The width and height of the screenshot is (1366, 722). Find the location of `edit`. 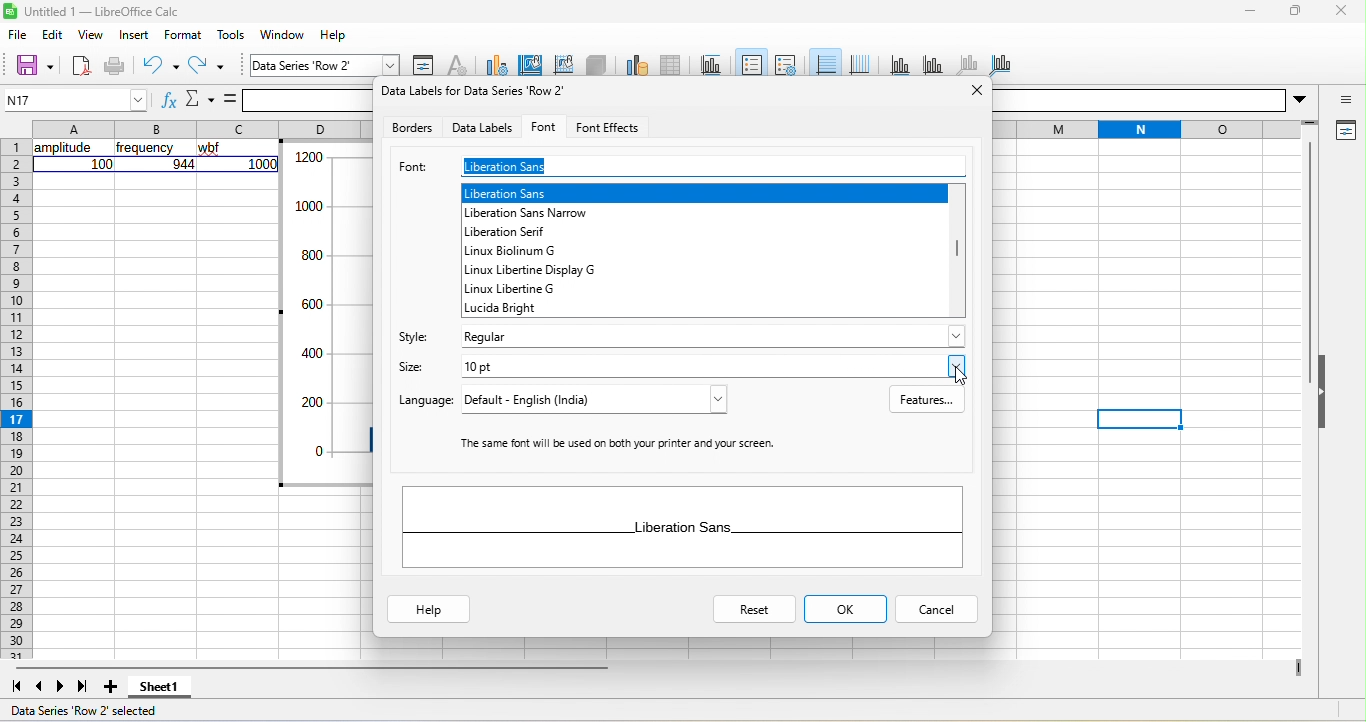

edit is located at coordinates (53, 36).